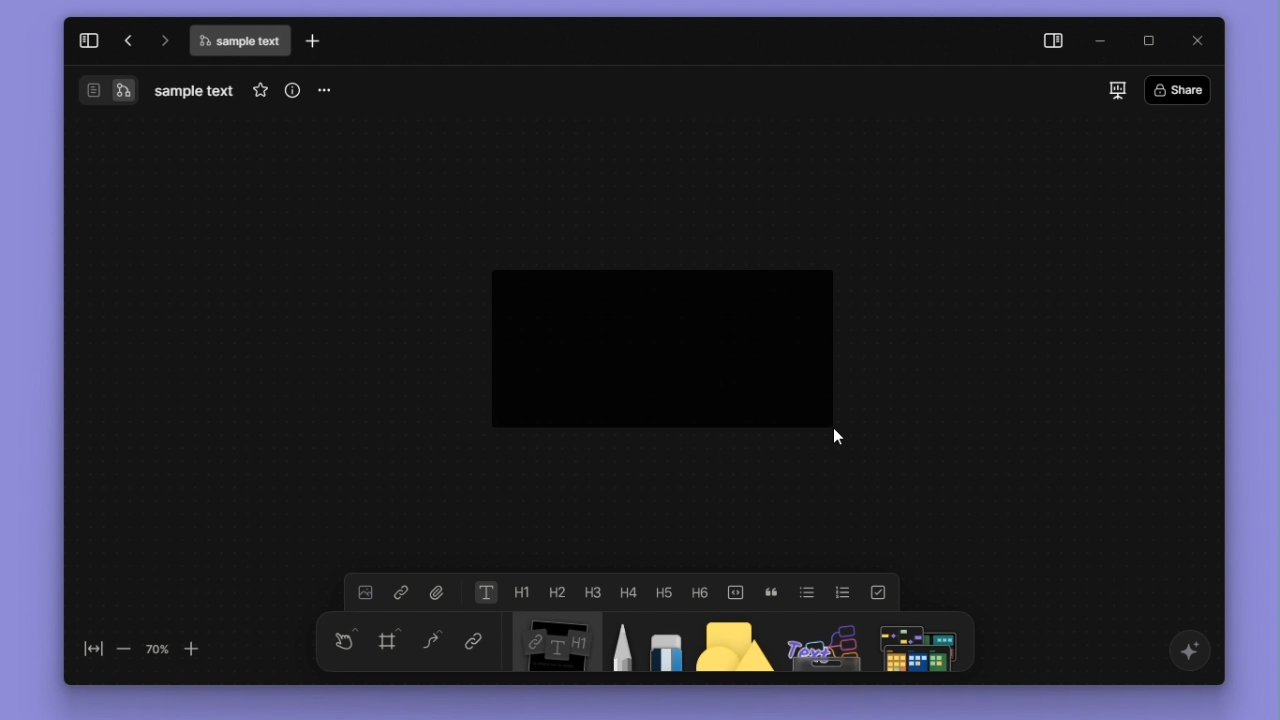 This screenshot has width=1280, height=720. I want to click on slideshow, so click(1113, 89).